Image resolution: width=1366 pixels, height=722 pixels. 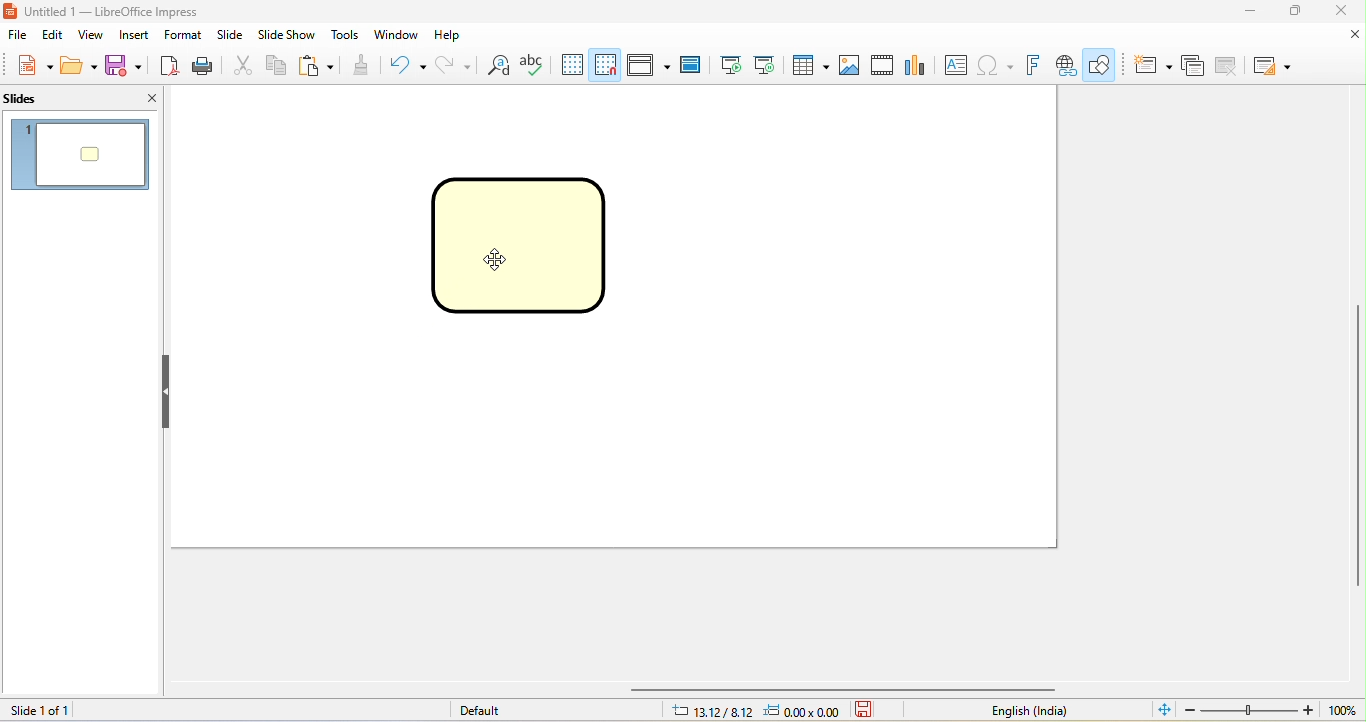 What do you see at coordinates (870, 711) in the screenshot?
I see `save the document` at bounding box center [870, 711].